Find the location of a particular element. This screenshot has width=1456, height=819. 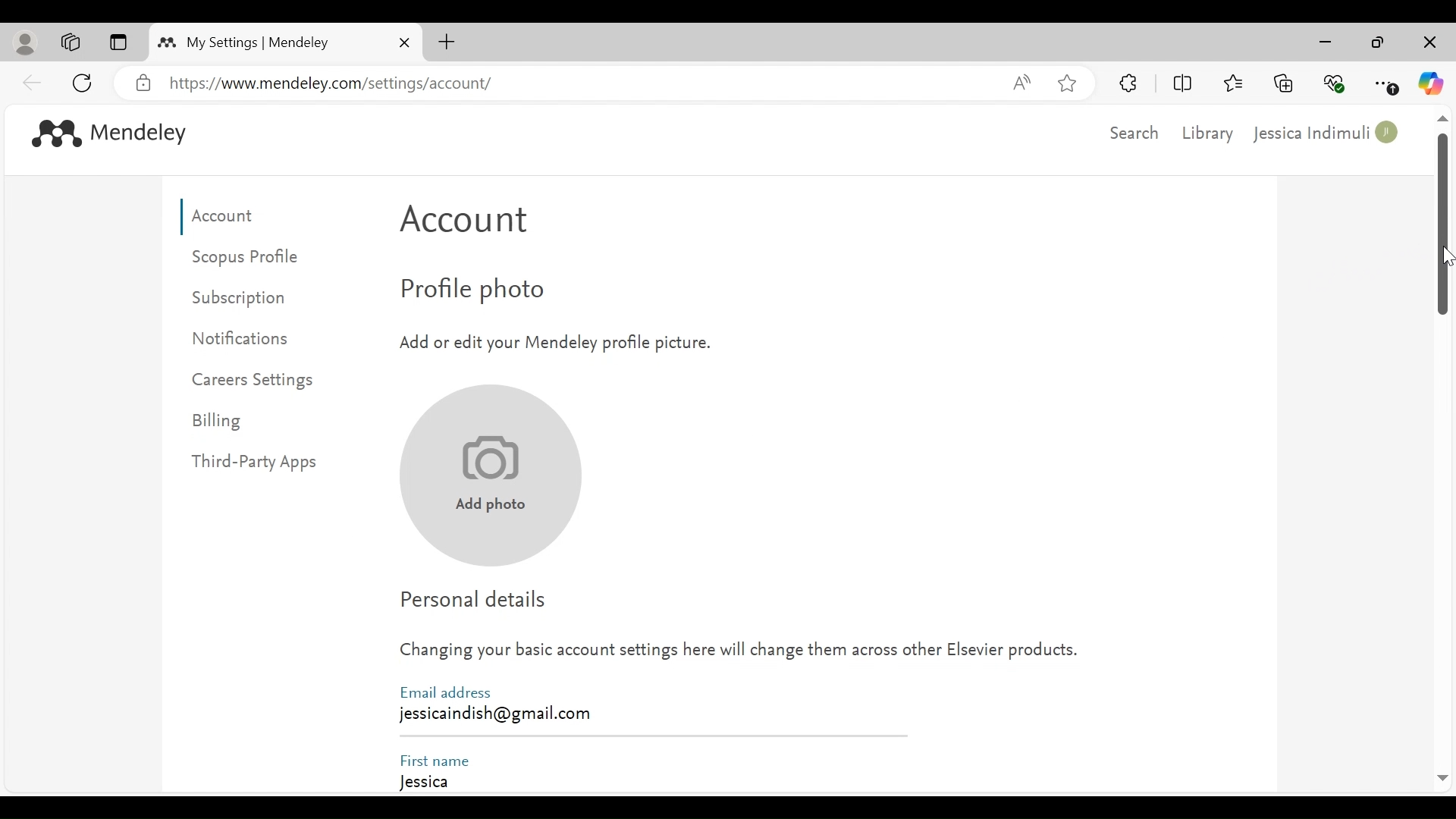

Maximize is located at coordinates (1378, 44).